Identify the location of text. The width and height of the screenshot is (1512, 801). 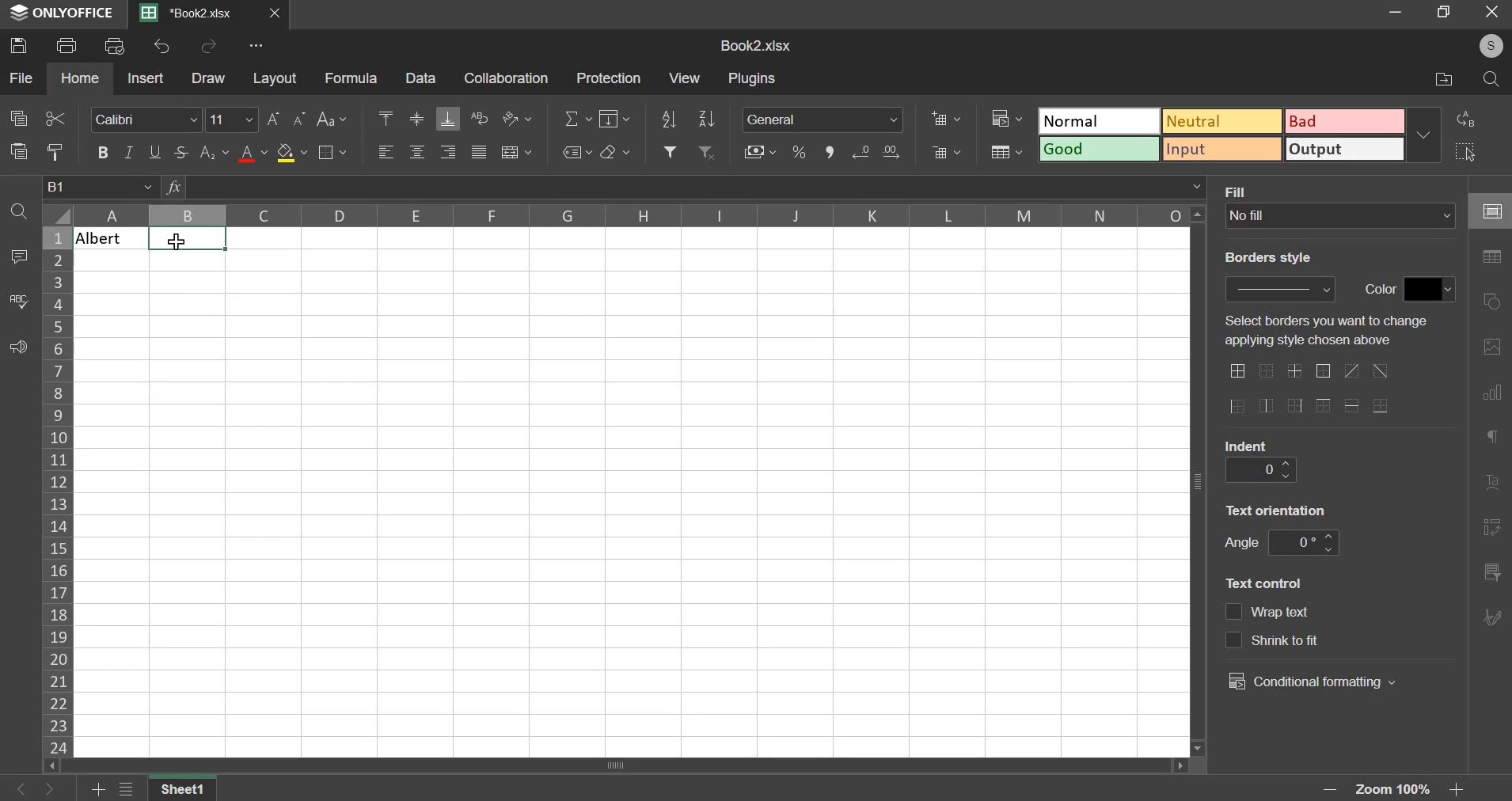
(1270, 613).